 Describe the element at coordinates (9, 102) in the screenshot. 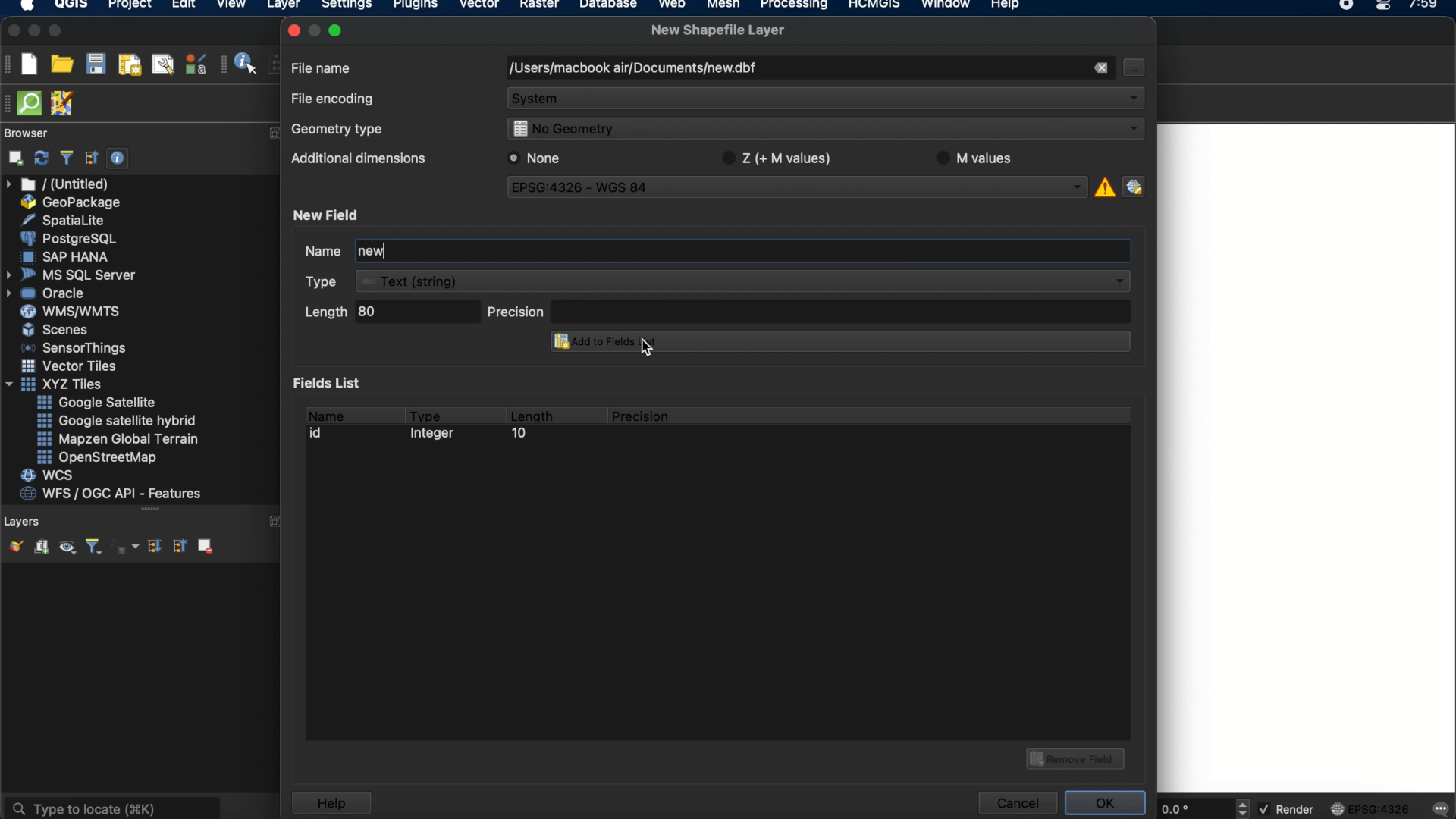

I see `hidden toolbar` at that location.